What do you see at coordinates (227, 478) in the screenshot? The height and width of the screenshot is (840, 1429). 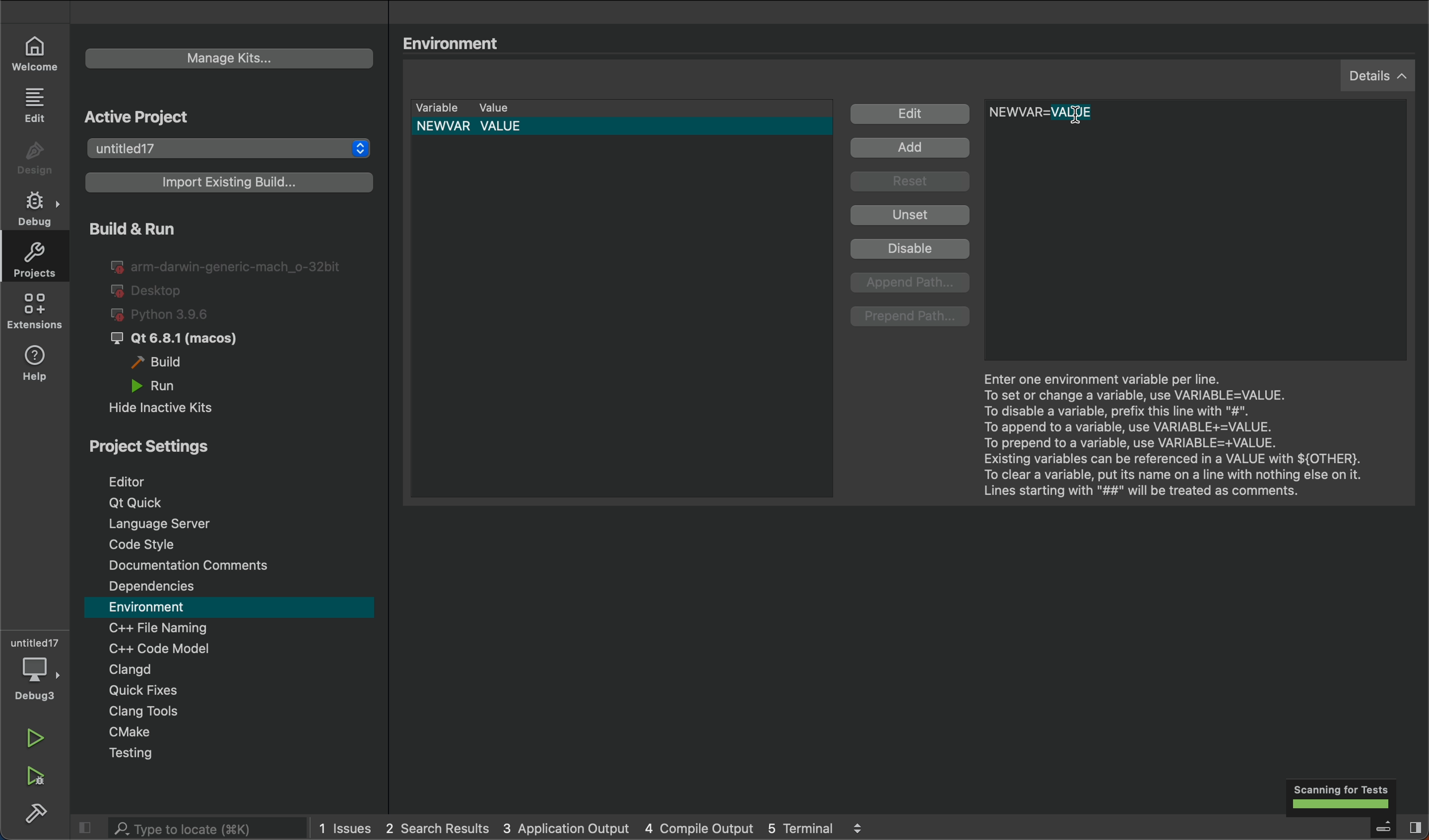 I see `editor` at bounding box center [227, 478].